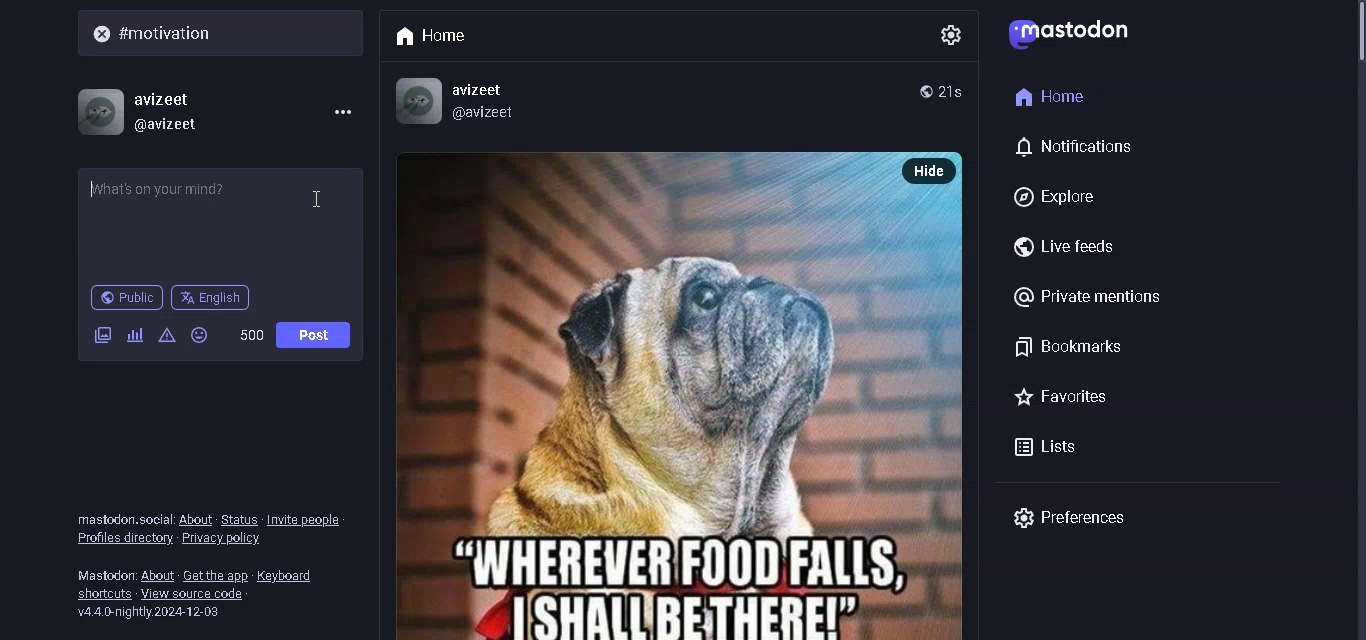 The width and height of the screenshot is (1366, 640). I want to click on avizeet, so click(482, 89).